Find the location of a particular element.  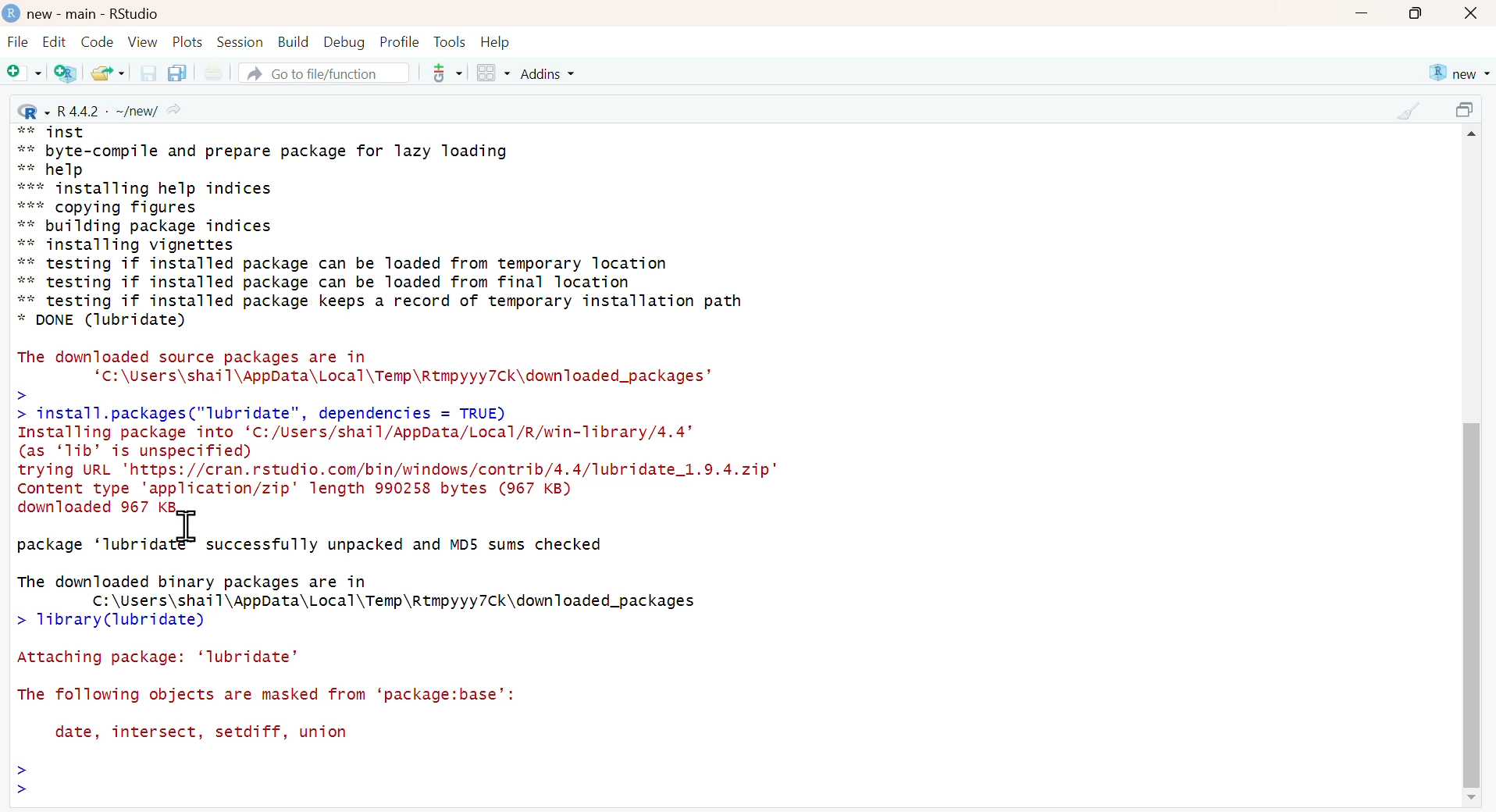

View is located at coordinates (143, 41).